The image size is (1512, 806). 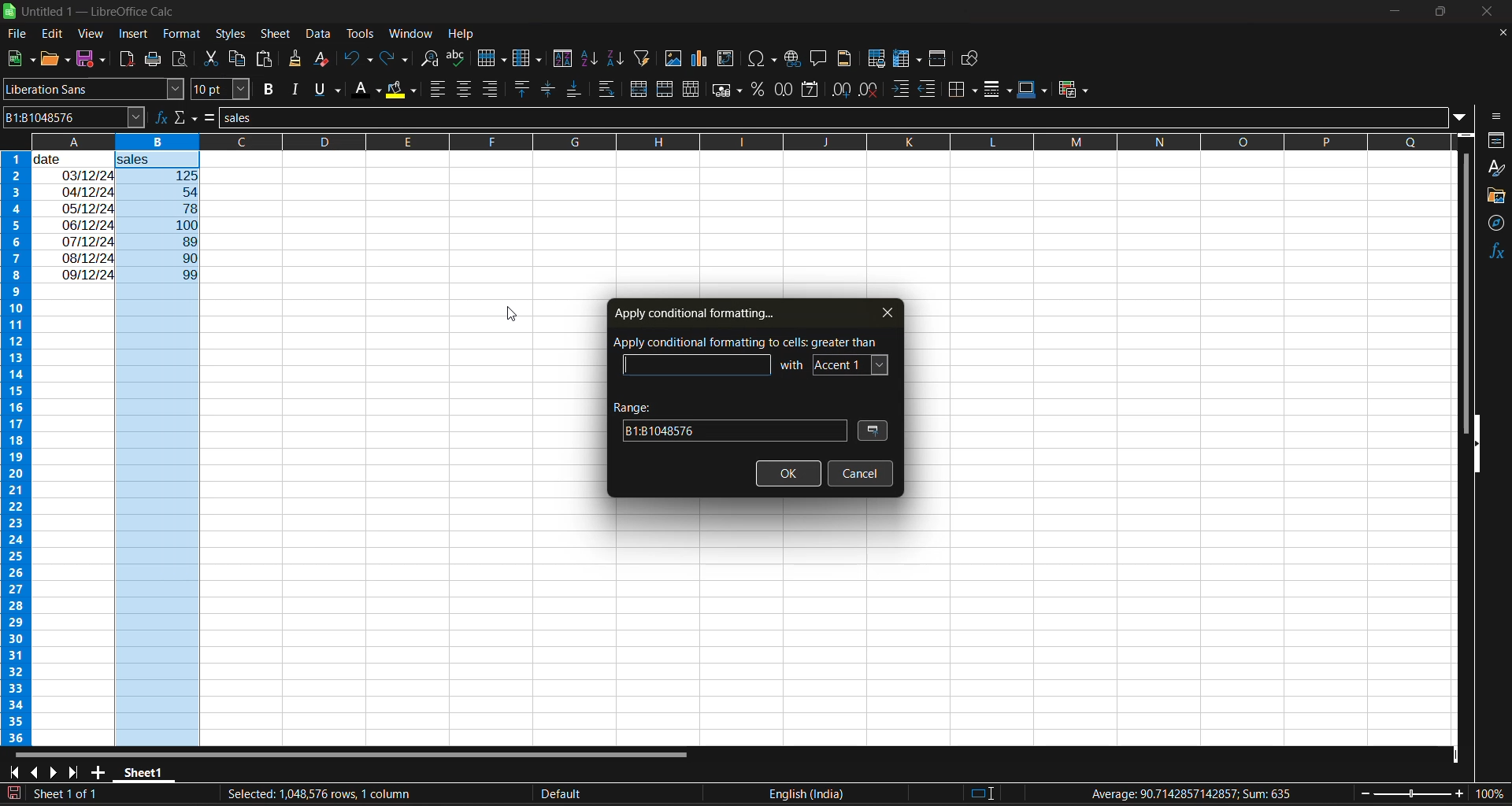 I want to click on style, so click(x=1497, y=168).